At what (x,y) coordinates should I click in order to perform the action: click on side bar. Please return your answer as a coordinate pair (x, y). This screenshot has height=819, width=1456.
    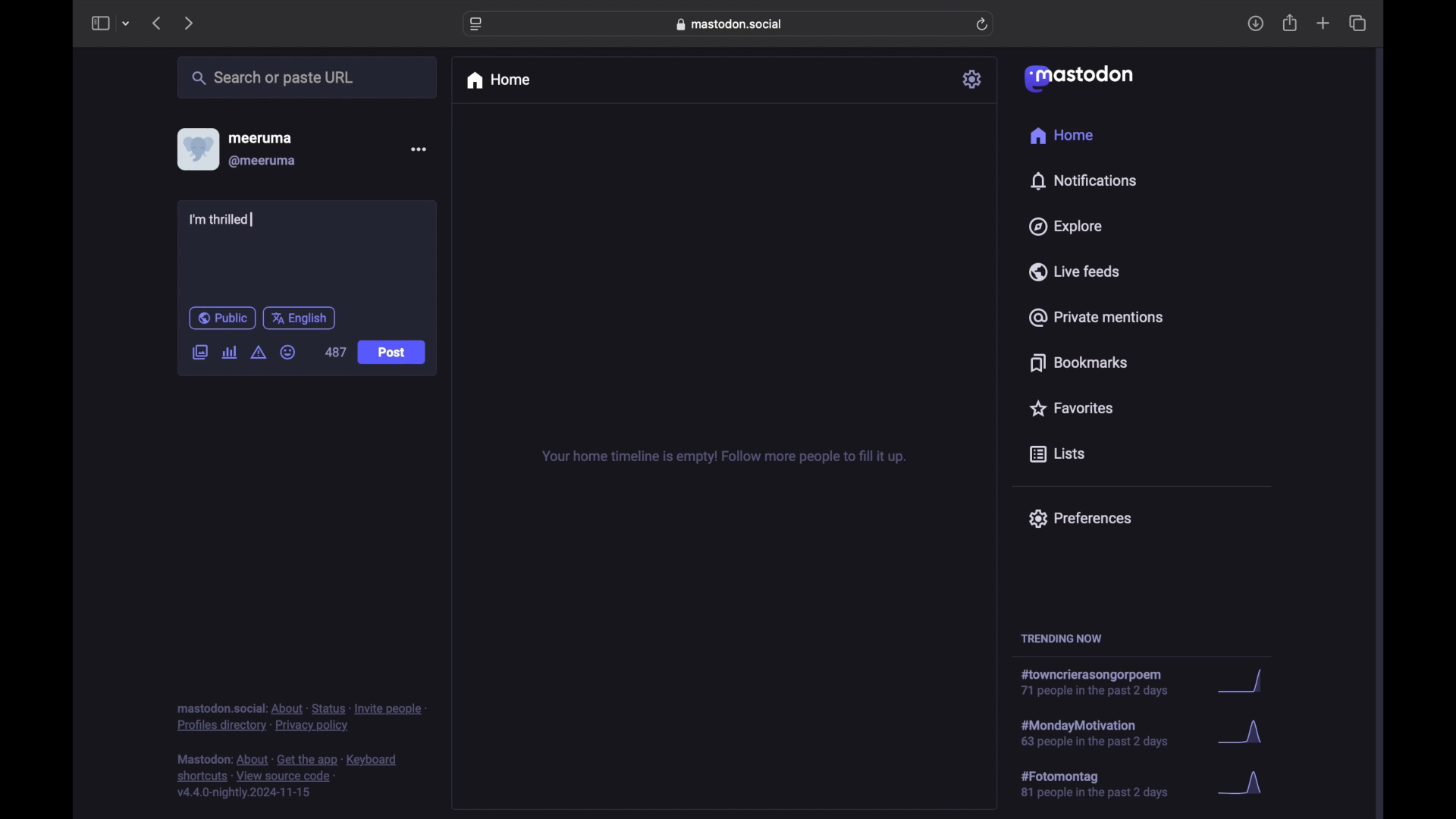
    Looking at the image, I should click on (99, 23).